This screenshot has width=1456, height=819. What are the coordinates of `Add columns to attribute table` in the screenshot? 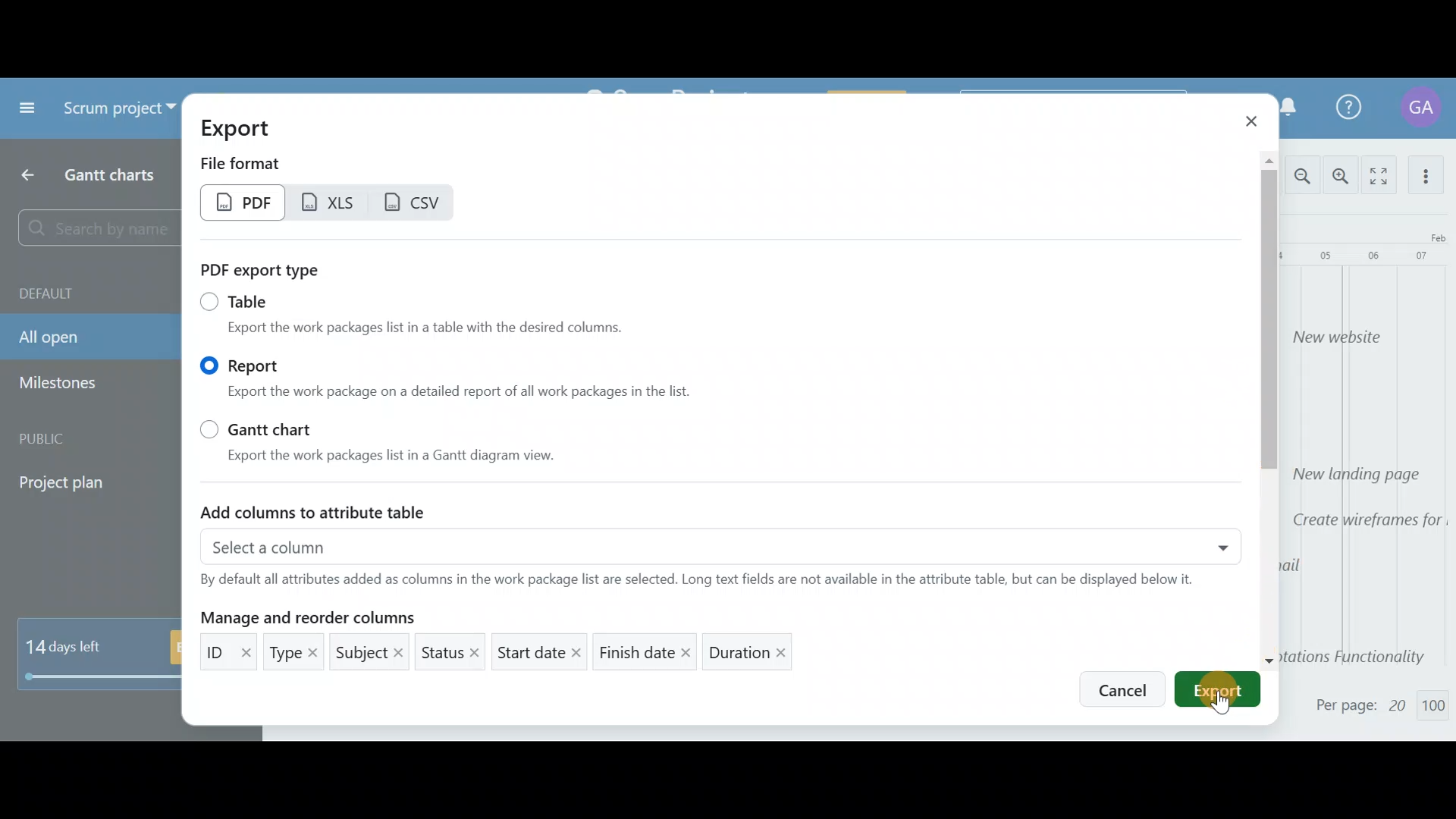 It's located at (370, 509).